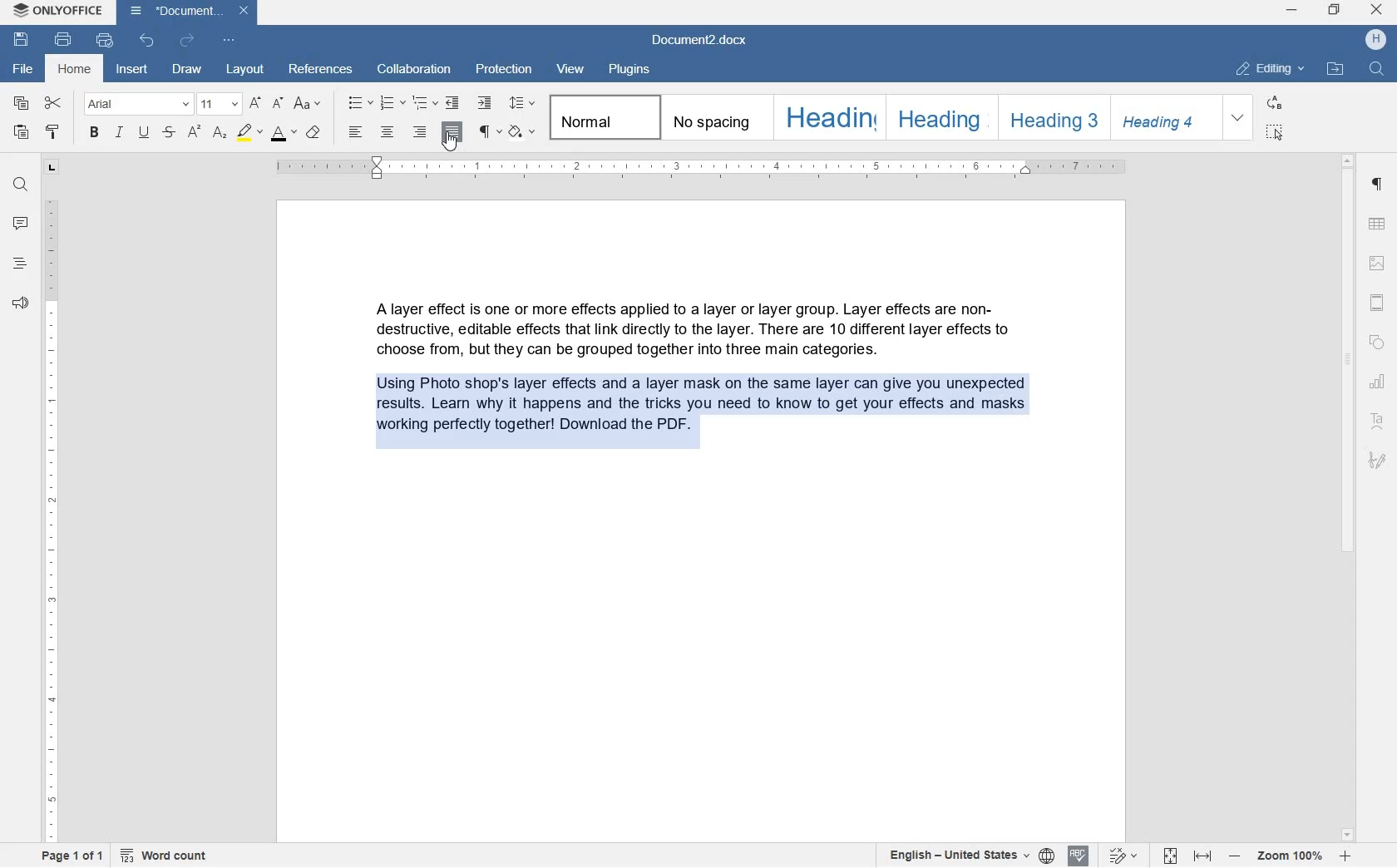 The image size is (1397, 868). I want to click on PRINT, so click(64, 39).